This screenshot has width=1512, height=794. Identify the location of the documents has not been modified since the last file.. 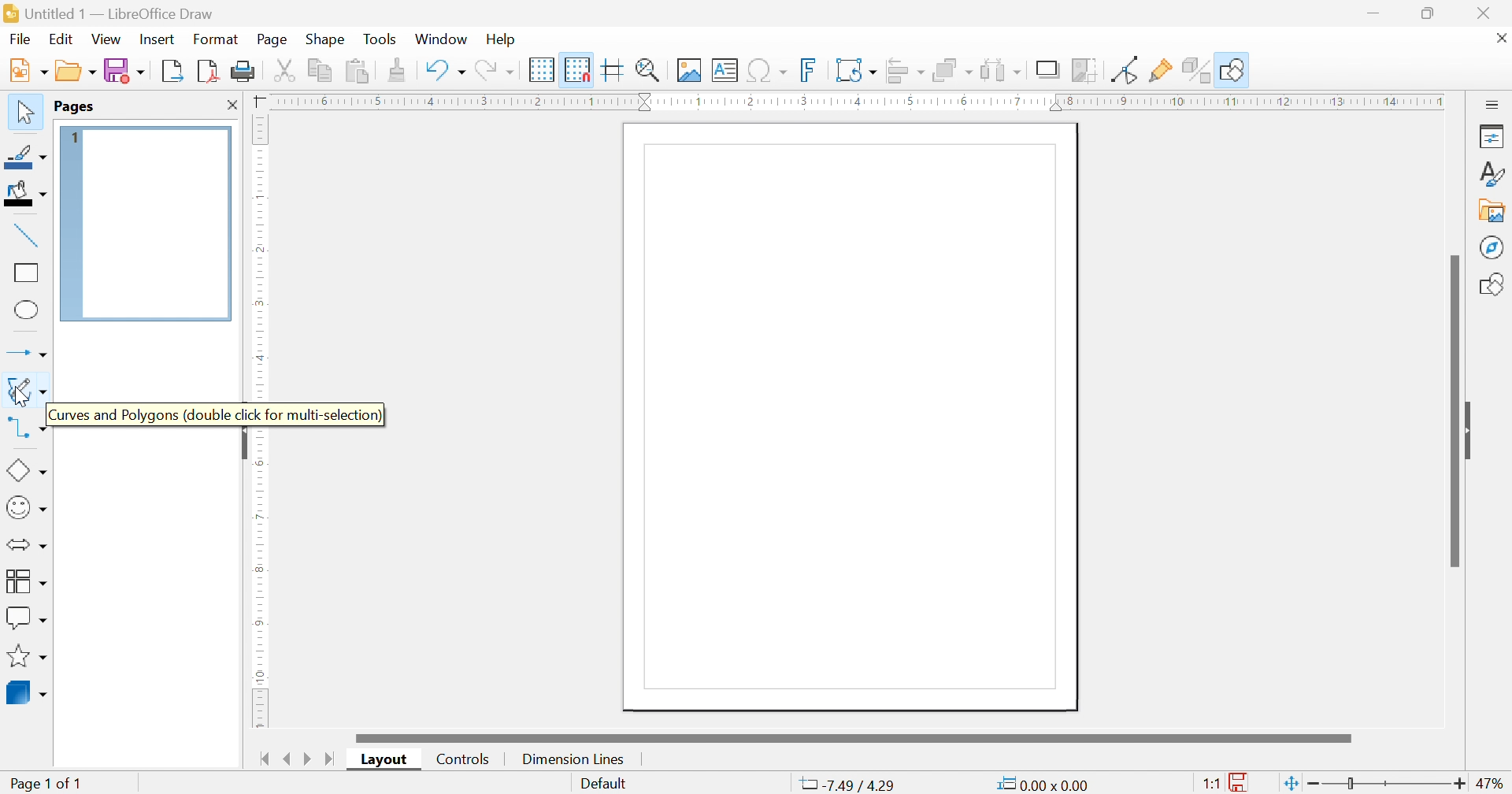
(1241, 784).